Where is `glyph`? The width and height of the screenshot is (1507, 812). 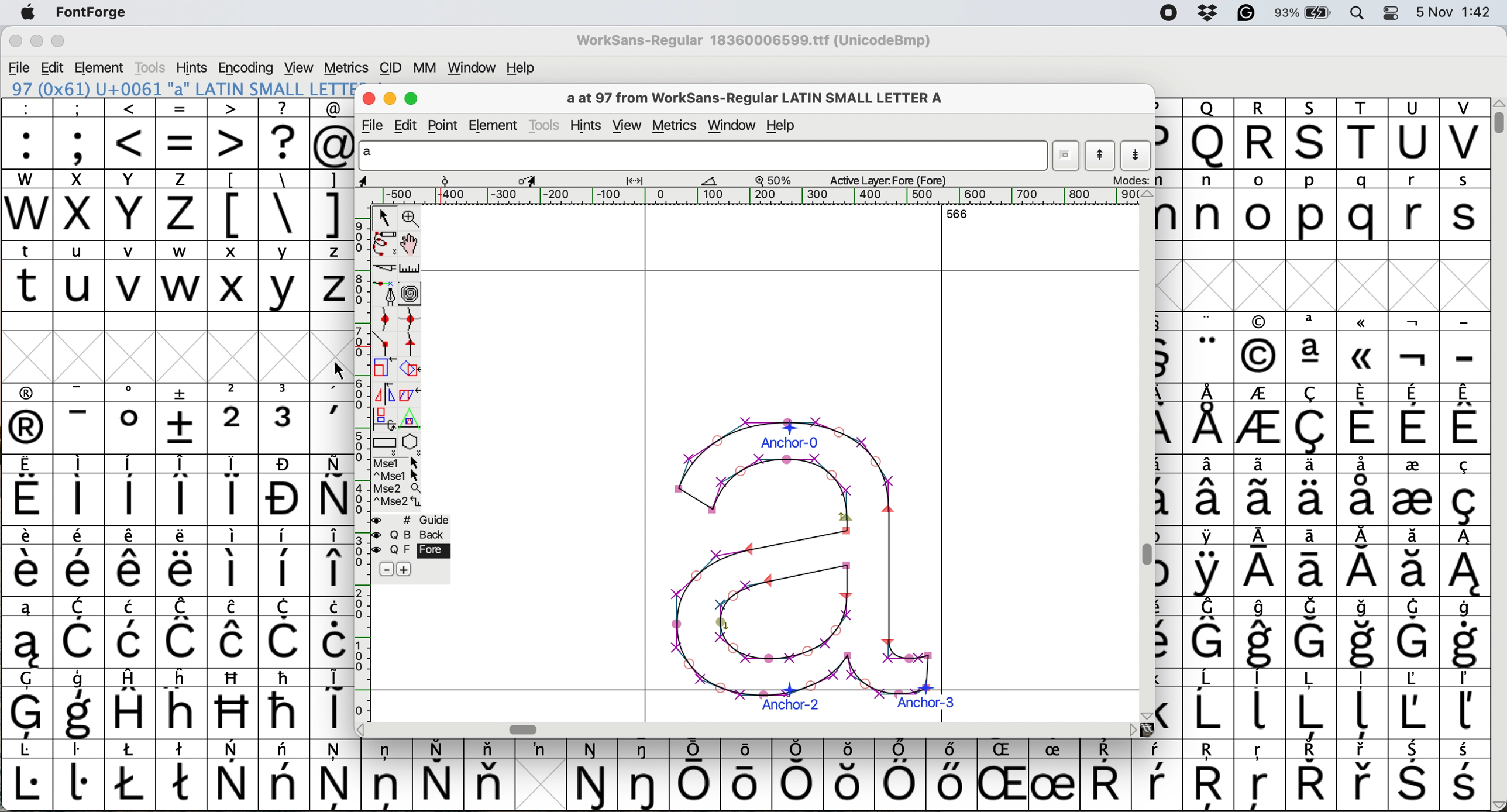 glyph is located at coordinates (804, 549).